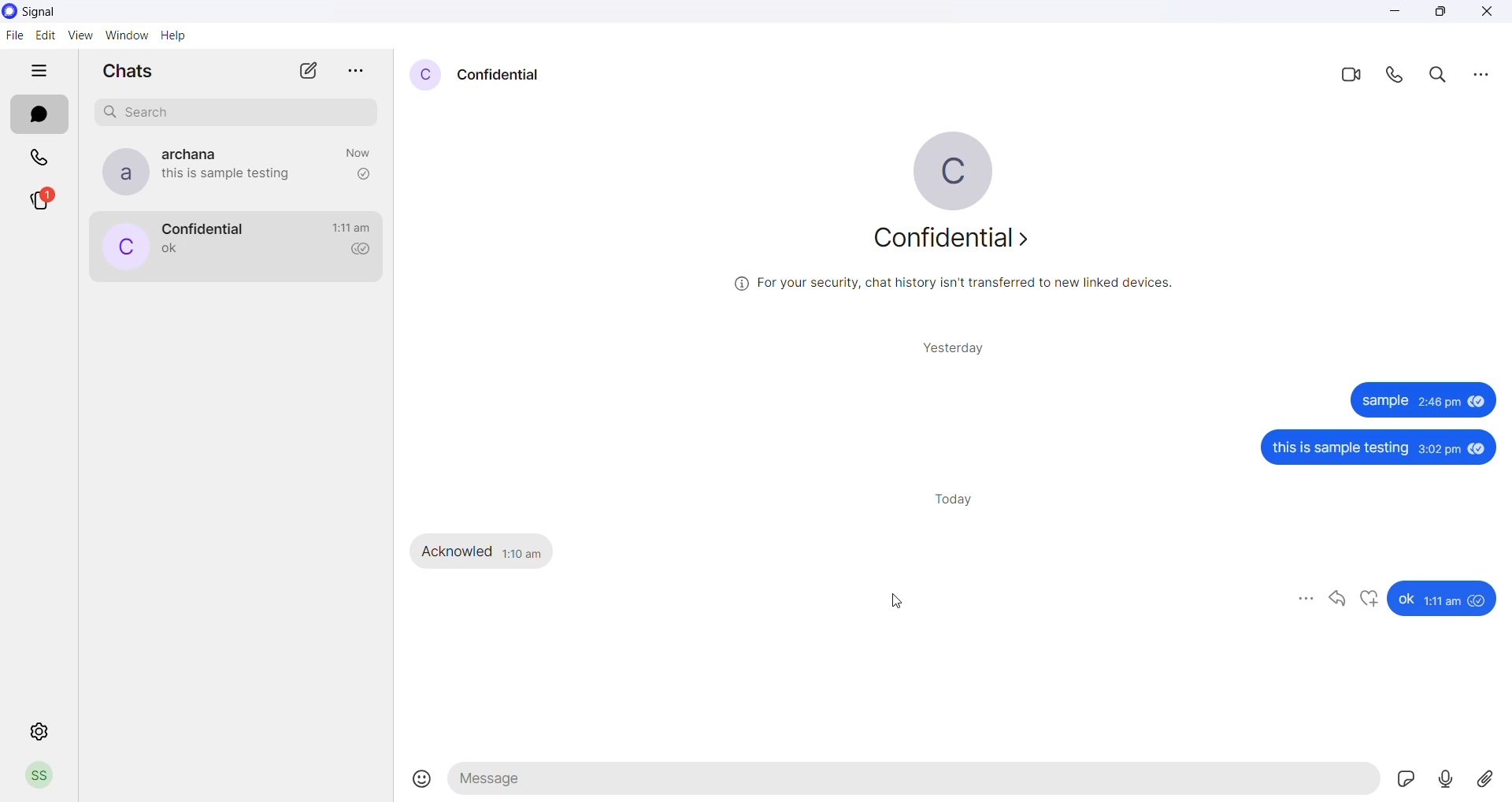 This screenshot has width=1512, height=802. Describe the element at coordinates (309, 75) in the screenshot. I see `new chat` at that location.